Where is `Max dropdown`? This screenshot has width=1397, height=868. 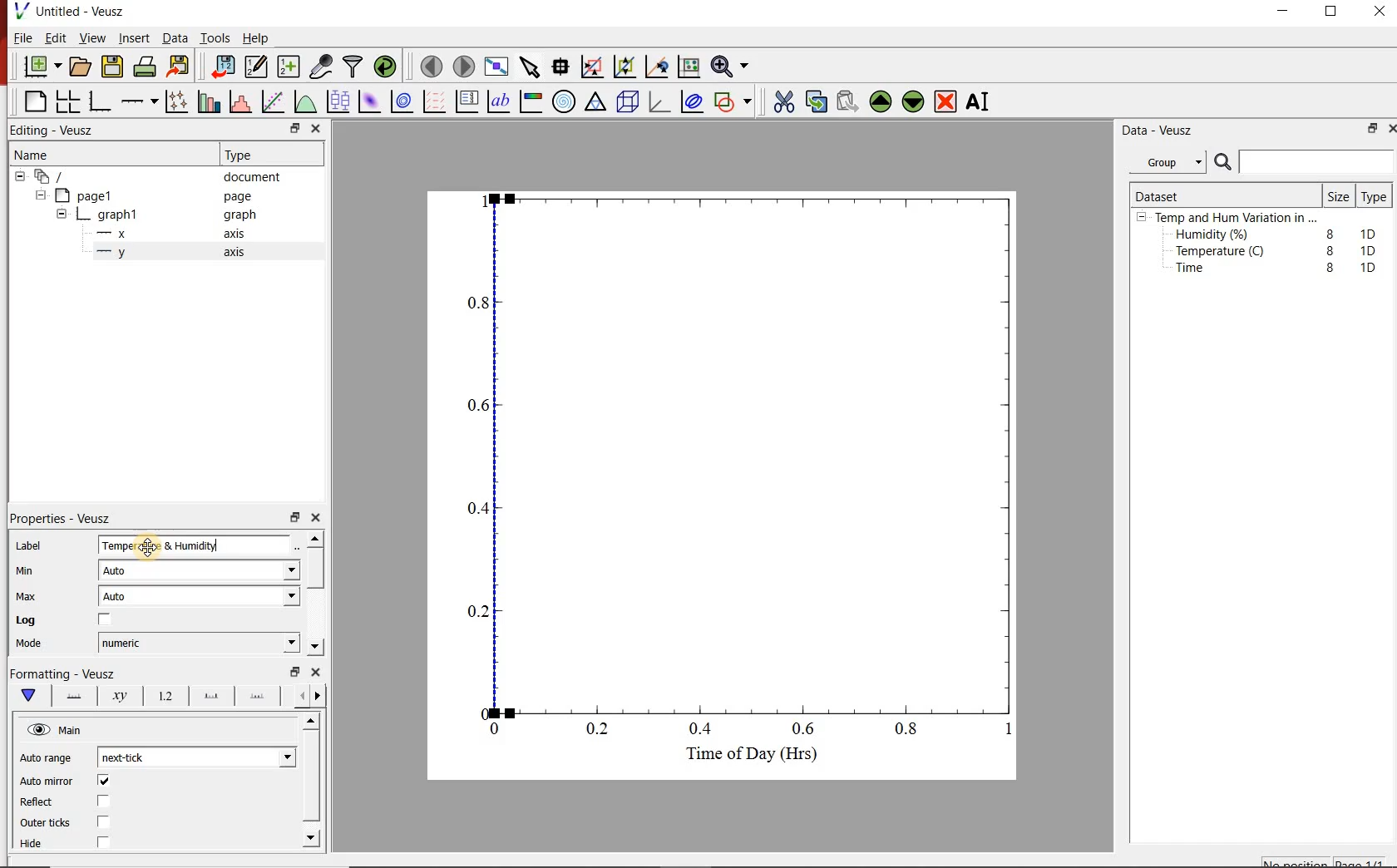 Max dropdown is located at coordinates (274, 599).